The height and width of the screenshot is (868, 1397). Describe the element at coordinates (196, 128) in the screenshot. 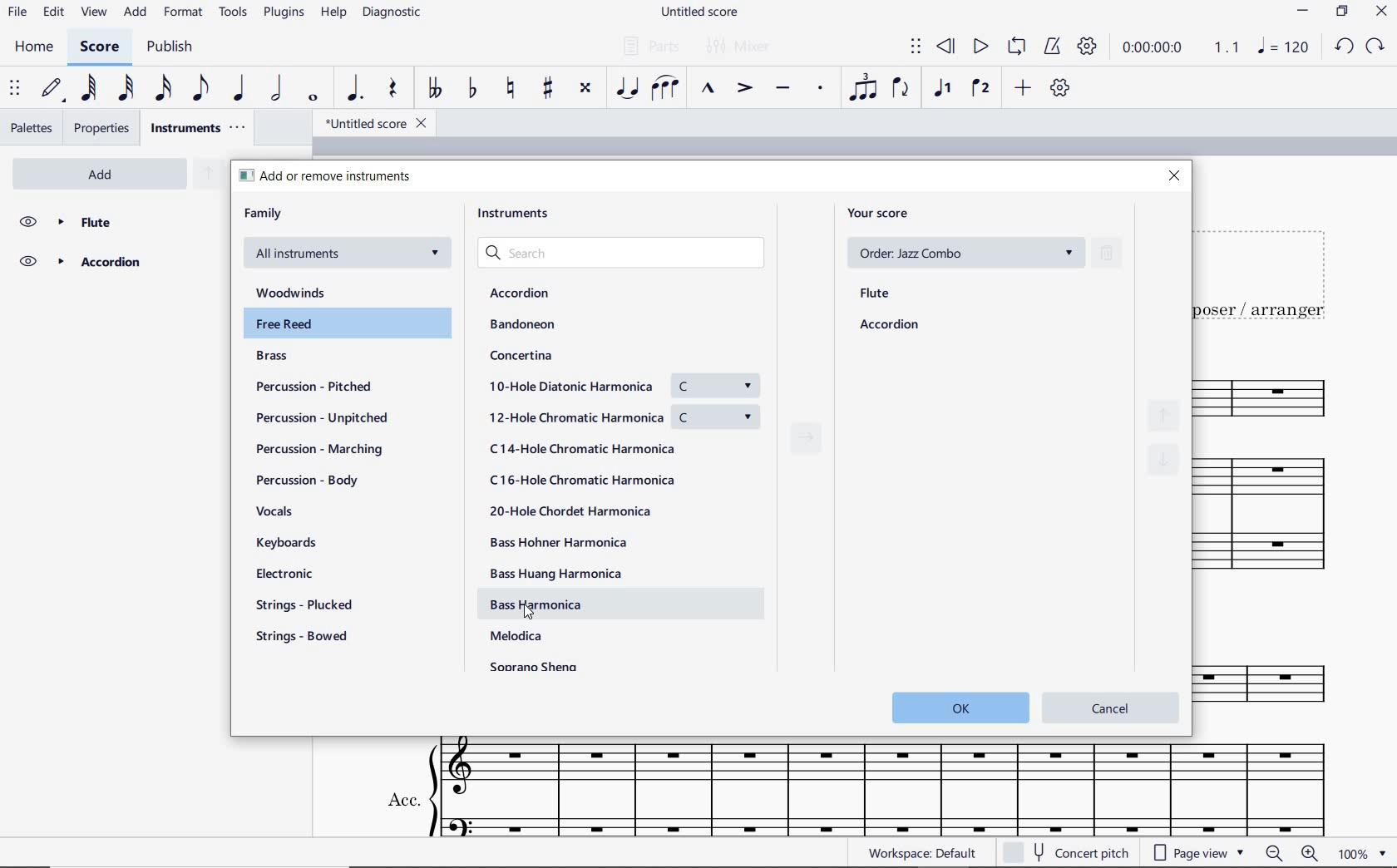

I see `instruments` at that location.